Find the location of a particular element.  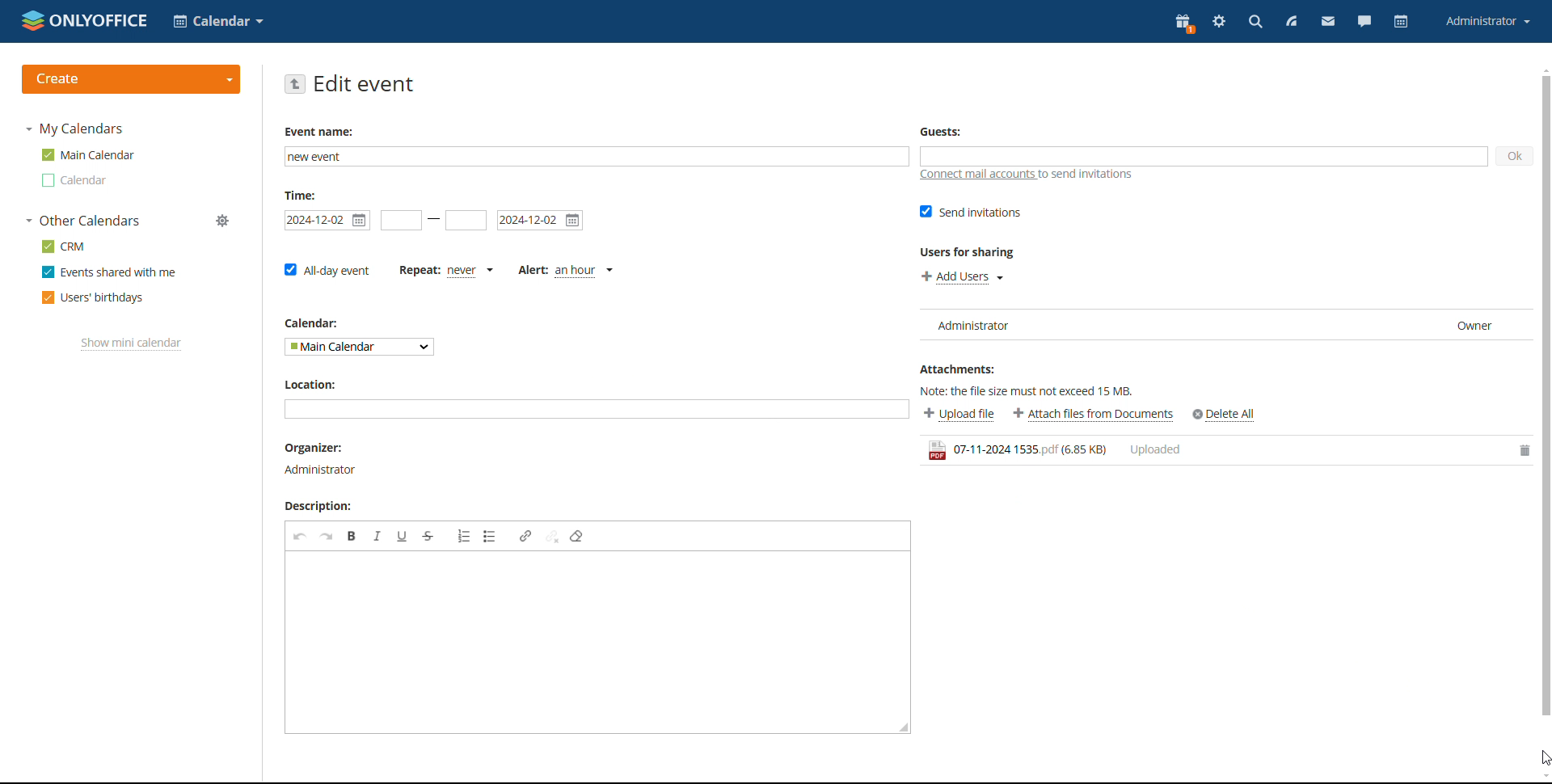

bold is located at coordinates (352, 536).